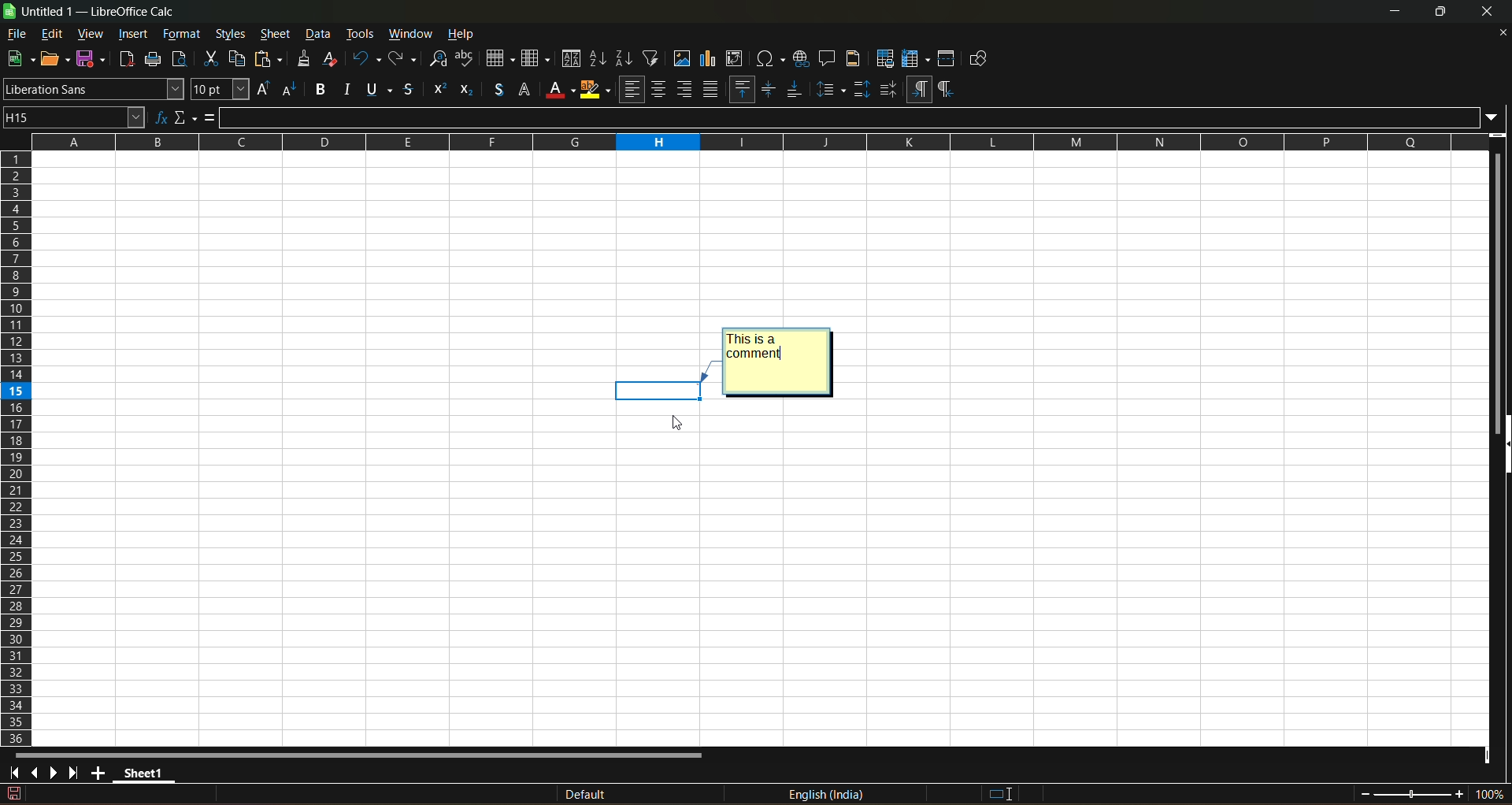 This screenshot has width=1512, height=805. What do you see at coordinates (51, 34) in the screenshot?
I see `edit` at bounding box center [51, 34].